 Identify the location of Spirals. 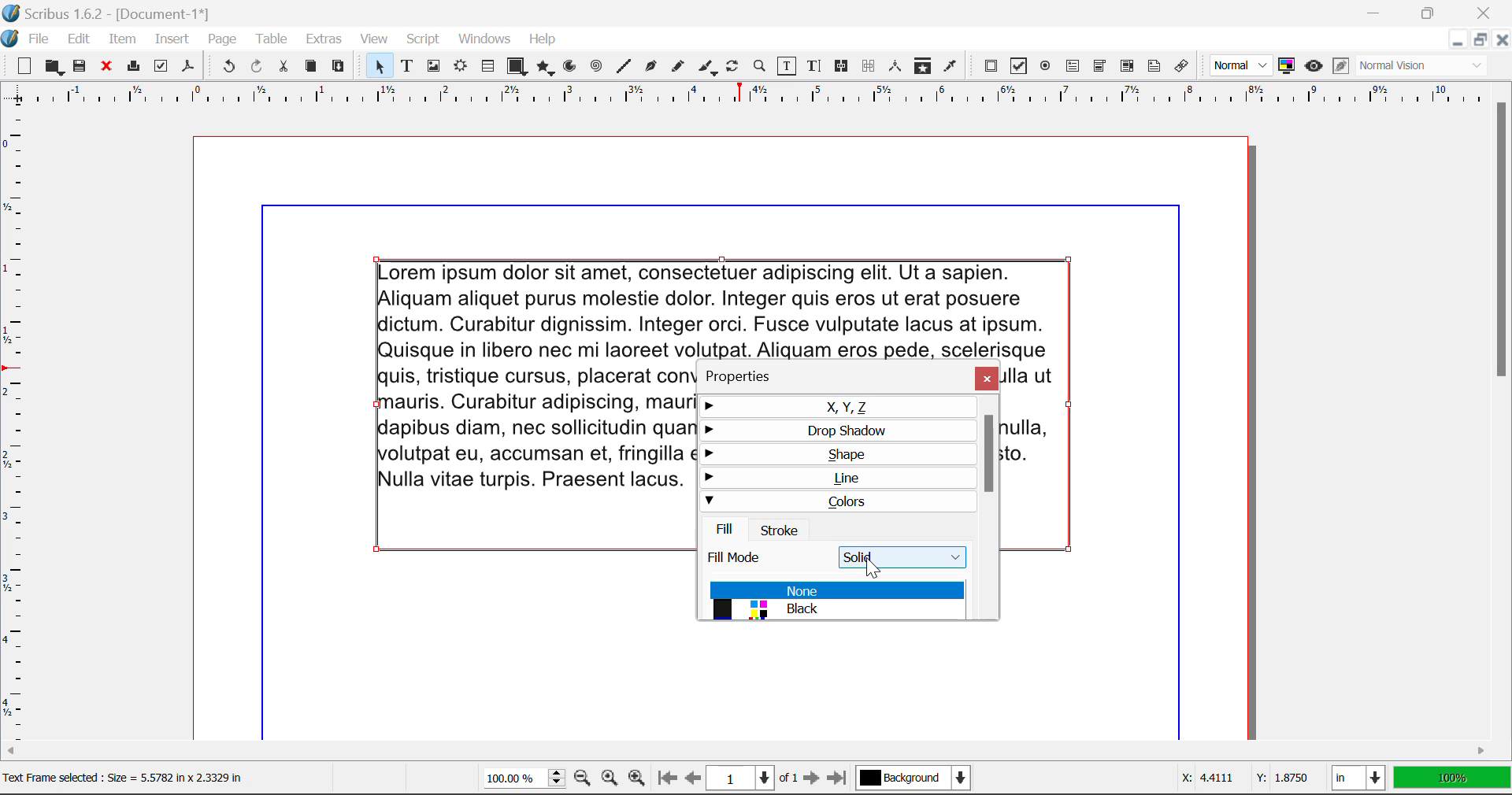
(595, 68).